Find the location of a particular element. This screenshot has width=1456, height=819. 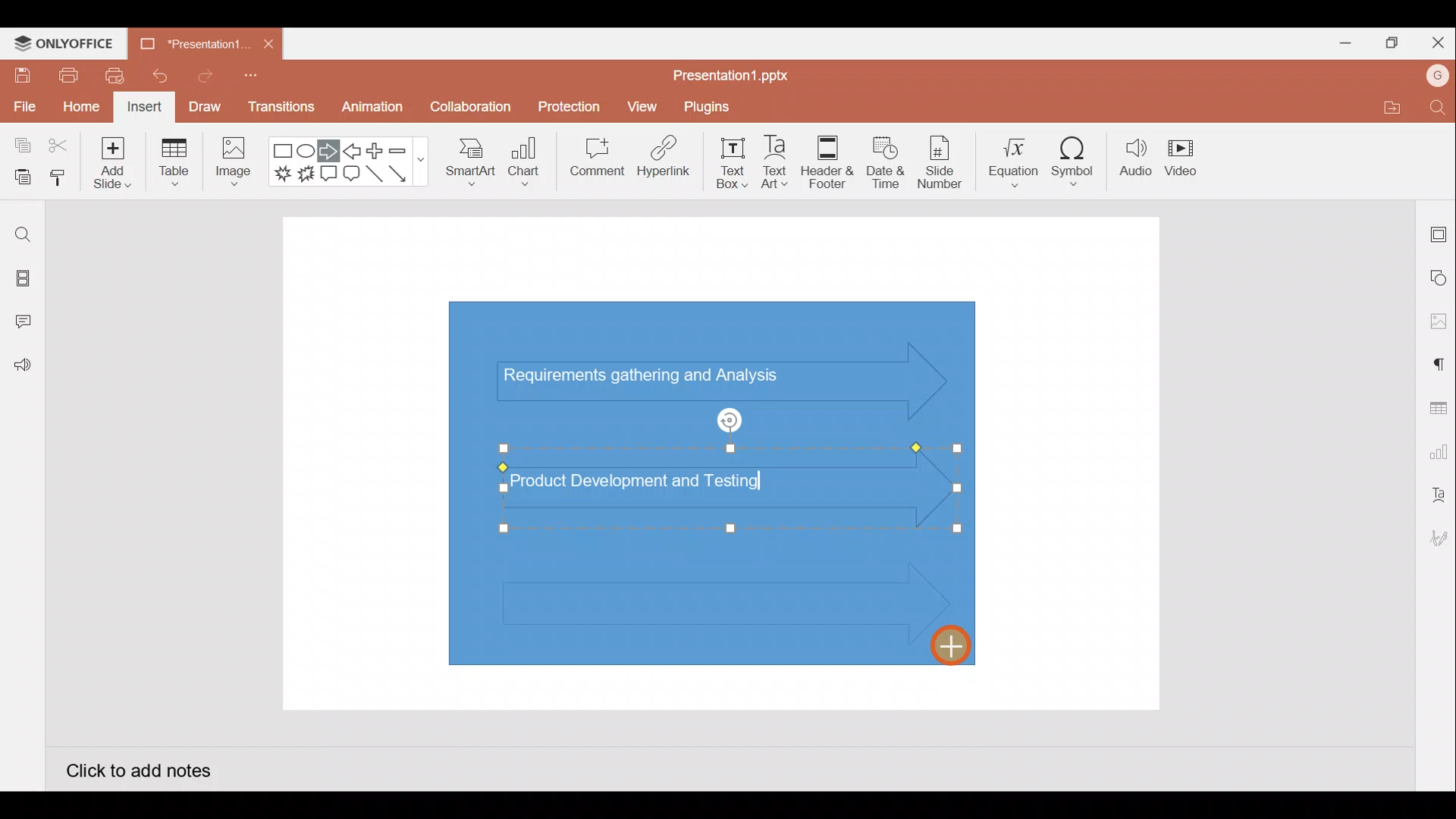

Hyperlink is located at coordinates (660, 158).